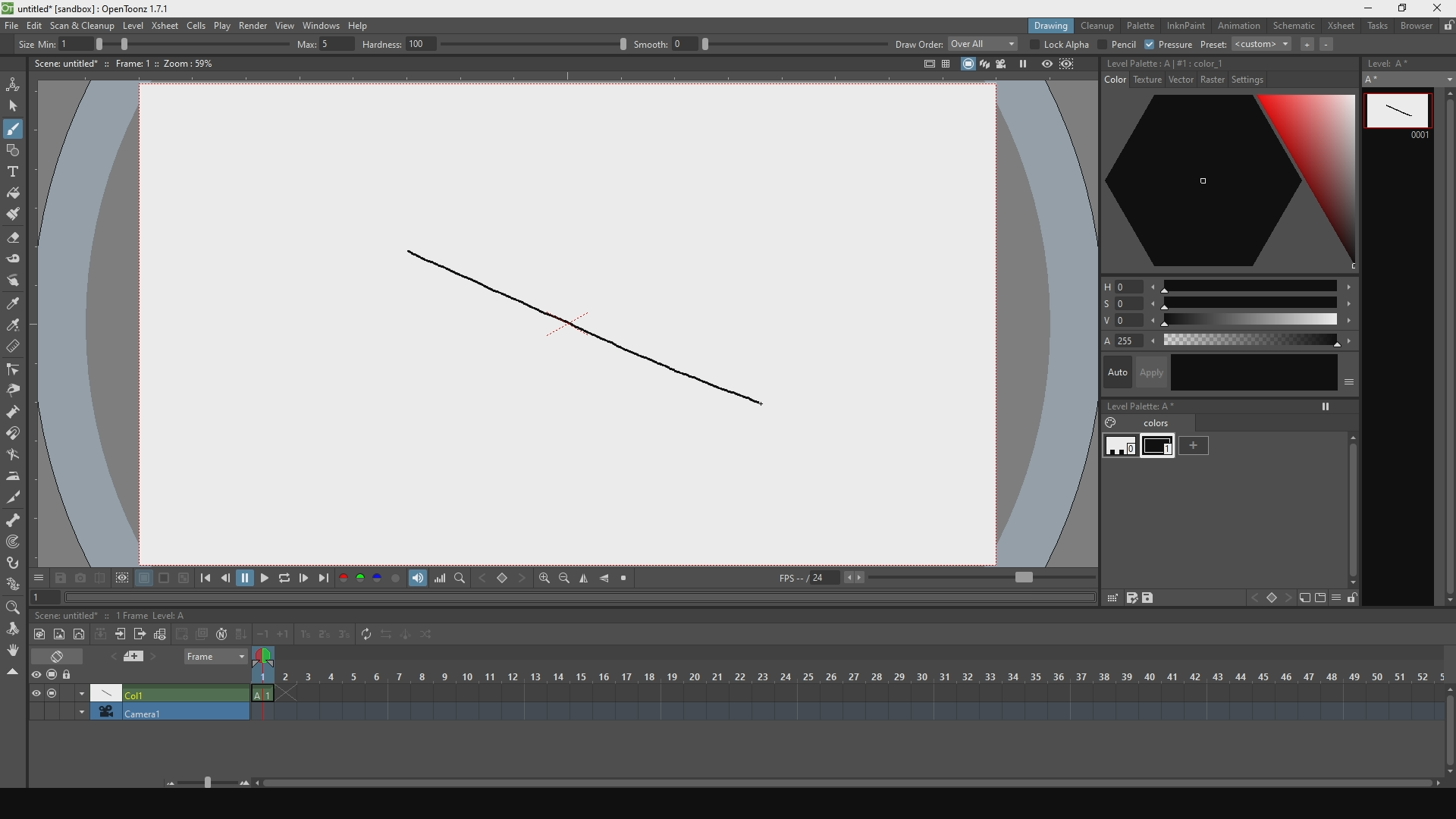 The width and height of the screenshot is (1456, 819). I want to click on max, so click(323, 43).